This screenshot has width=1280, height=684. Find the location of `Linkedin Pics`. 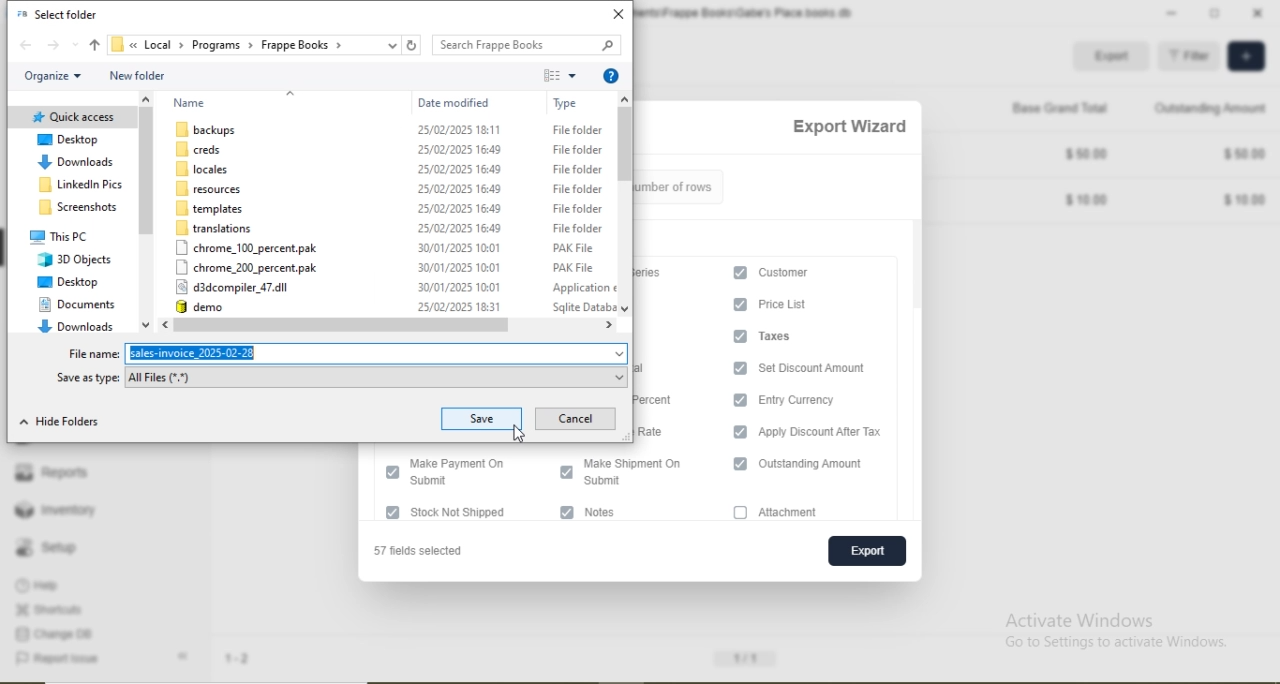

Linkedin Pics is located at coordinates (84, 184).